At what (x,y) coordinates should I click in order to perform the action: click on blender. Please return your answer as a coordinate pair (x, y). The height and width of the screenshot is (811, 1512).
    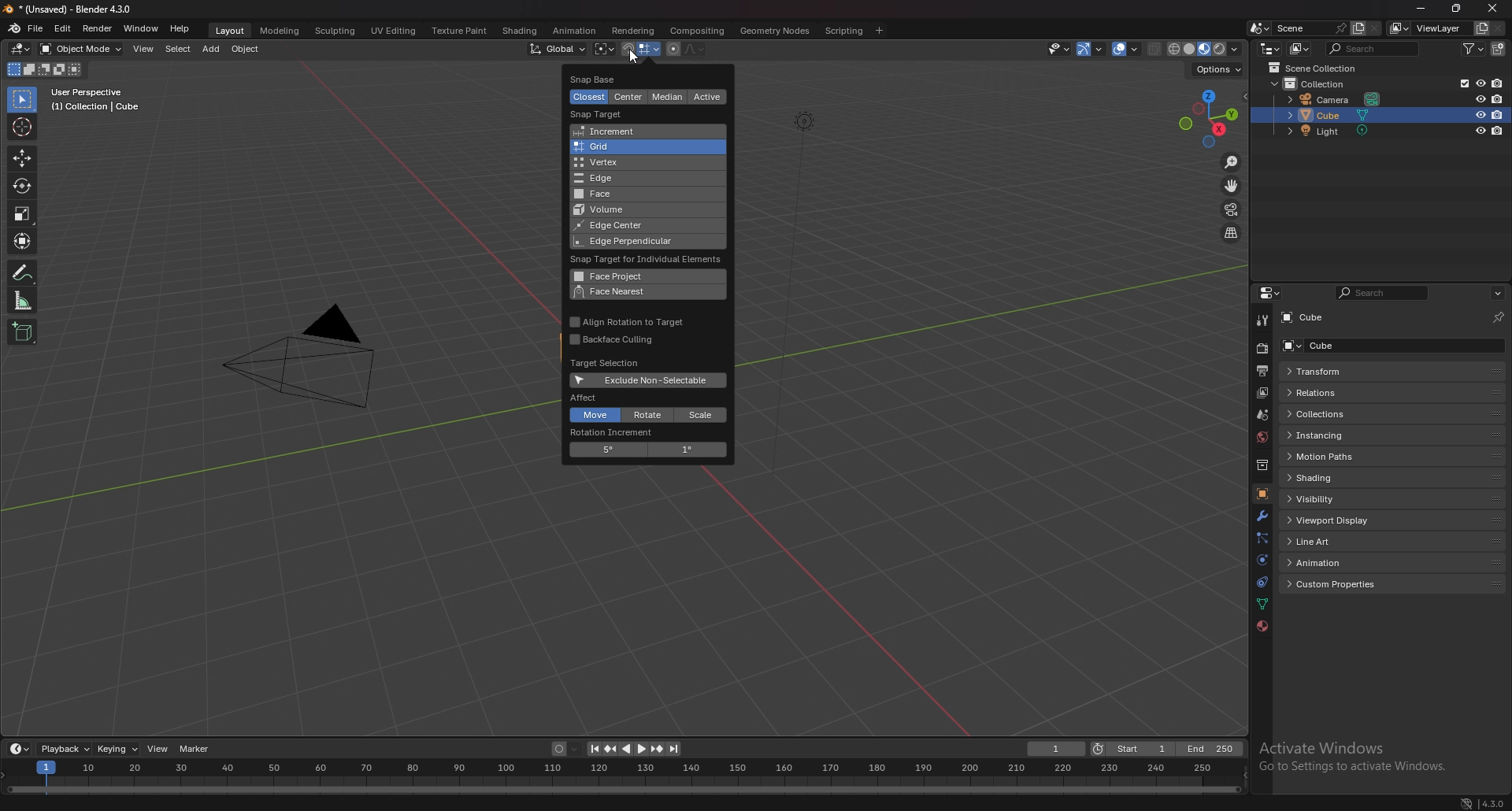
    Looking at the image, I should click on (15, 28).